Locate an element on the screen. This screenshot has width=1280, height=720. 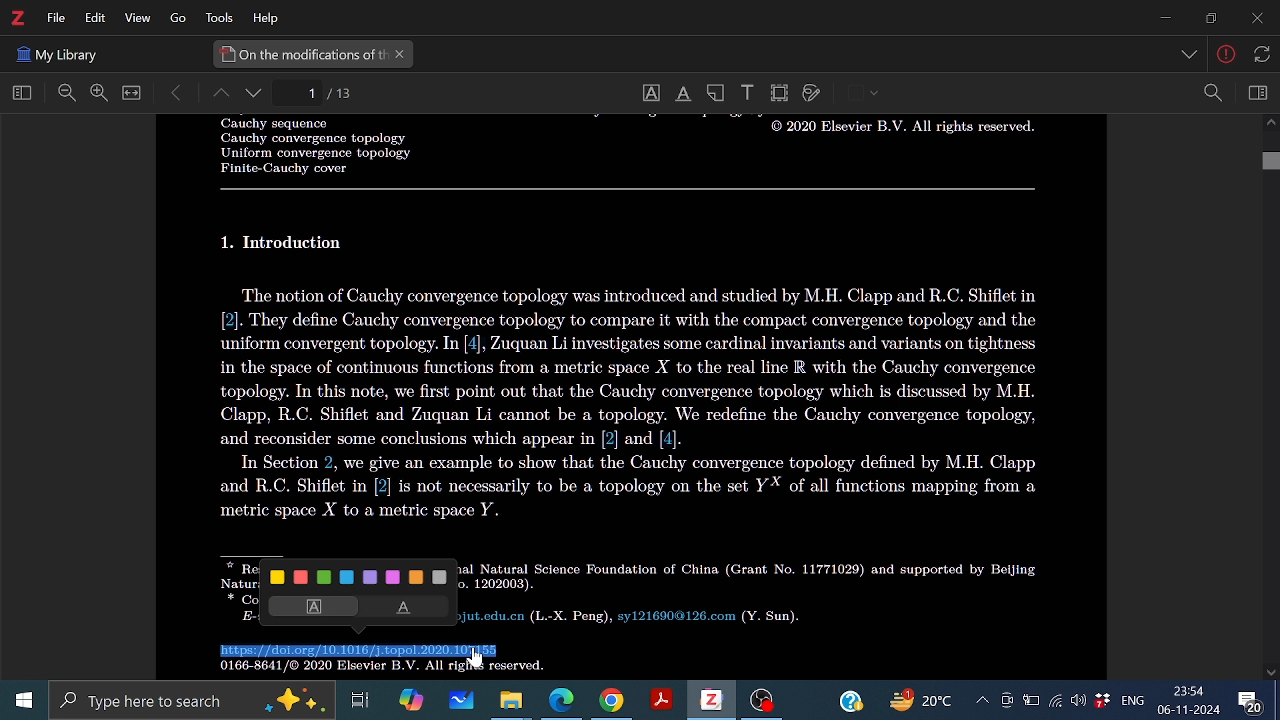
 is located at coordinates (286, 243).